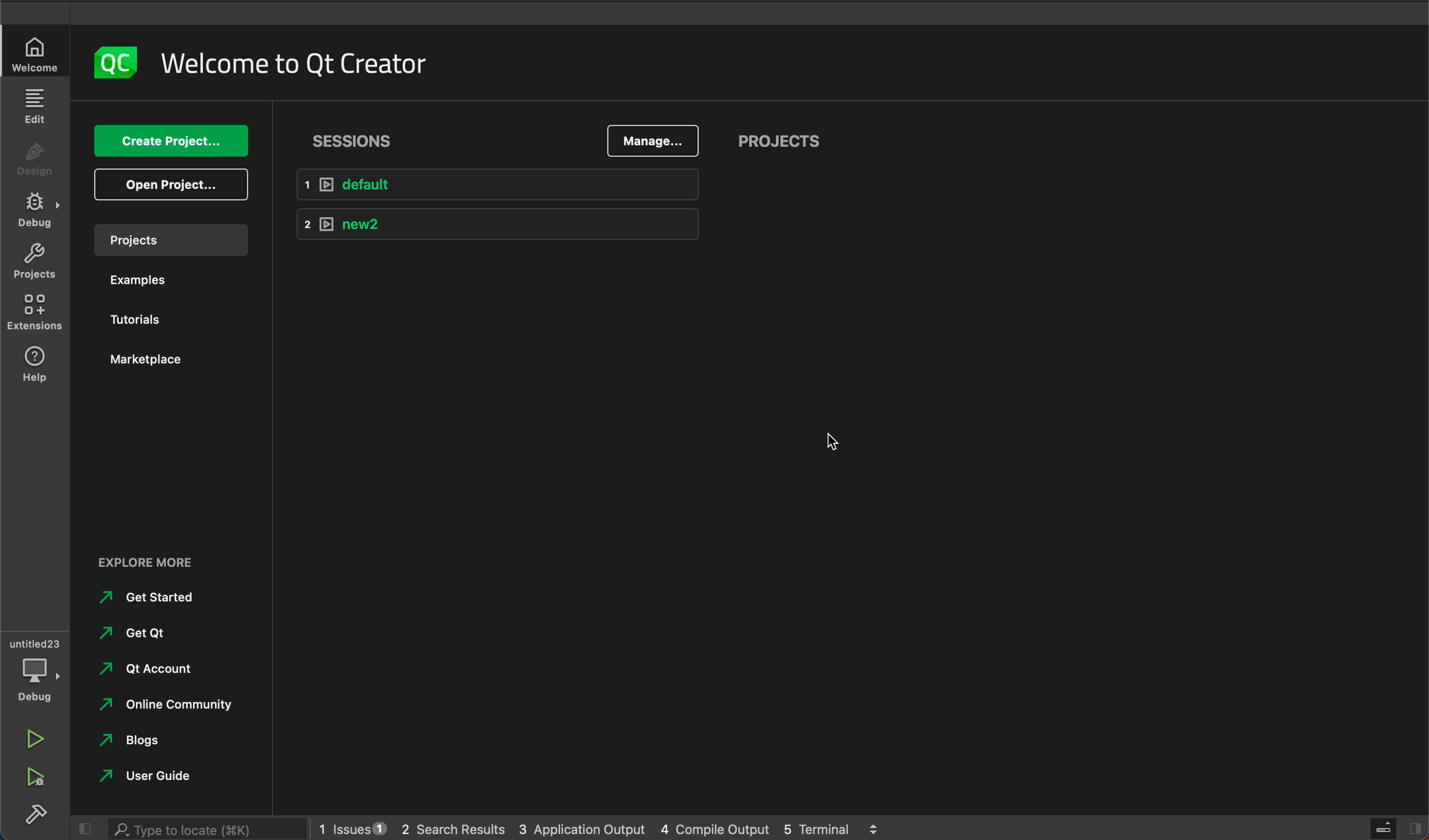 Image resolution: width=1429 pixels, height=840 pixels. I want to click on DEFAULT, so click(507, 185).